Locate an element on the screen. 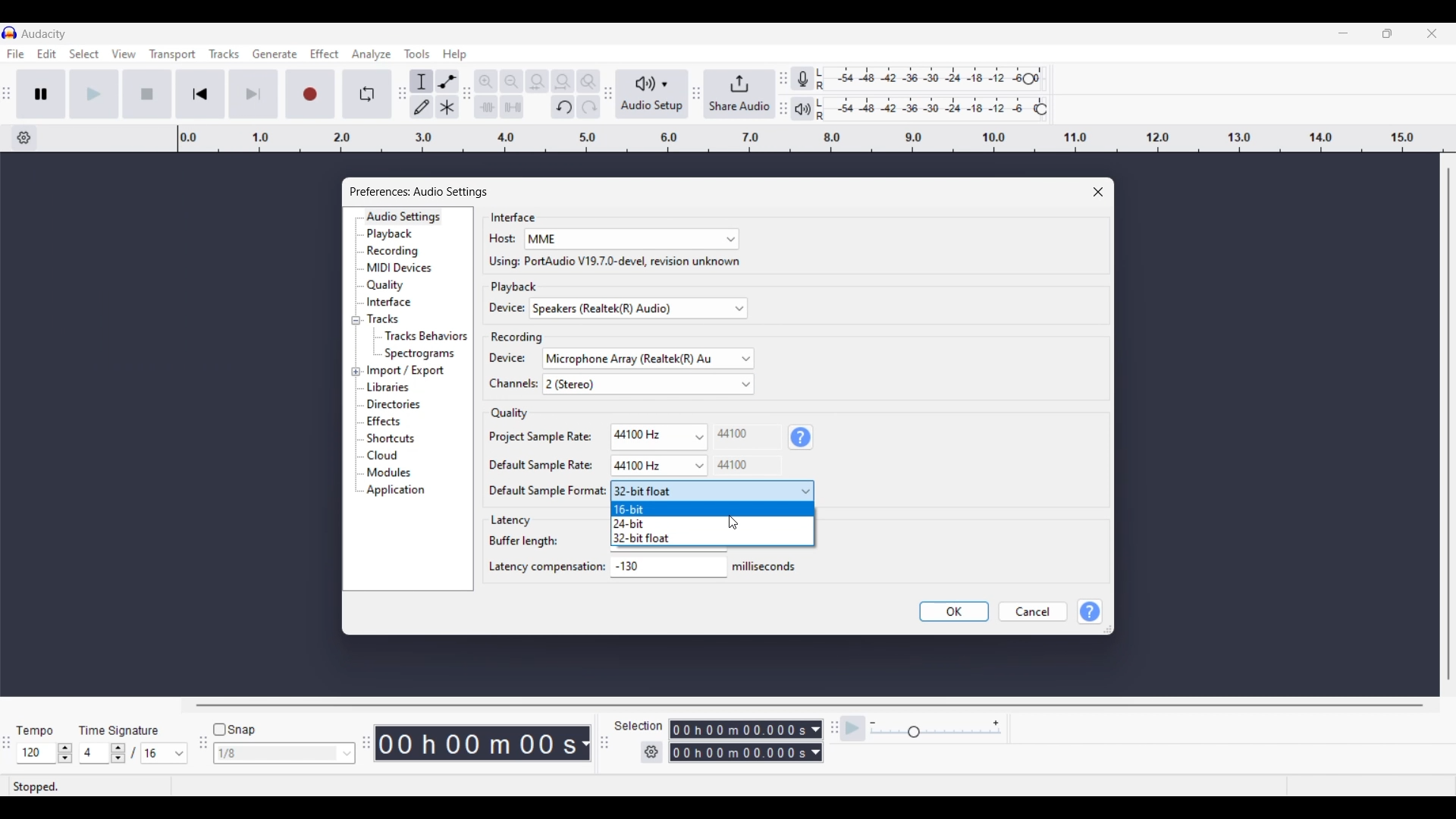  Close window is located at coordinates (1098, 192).